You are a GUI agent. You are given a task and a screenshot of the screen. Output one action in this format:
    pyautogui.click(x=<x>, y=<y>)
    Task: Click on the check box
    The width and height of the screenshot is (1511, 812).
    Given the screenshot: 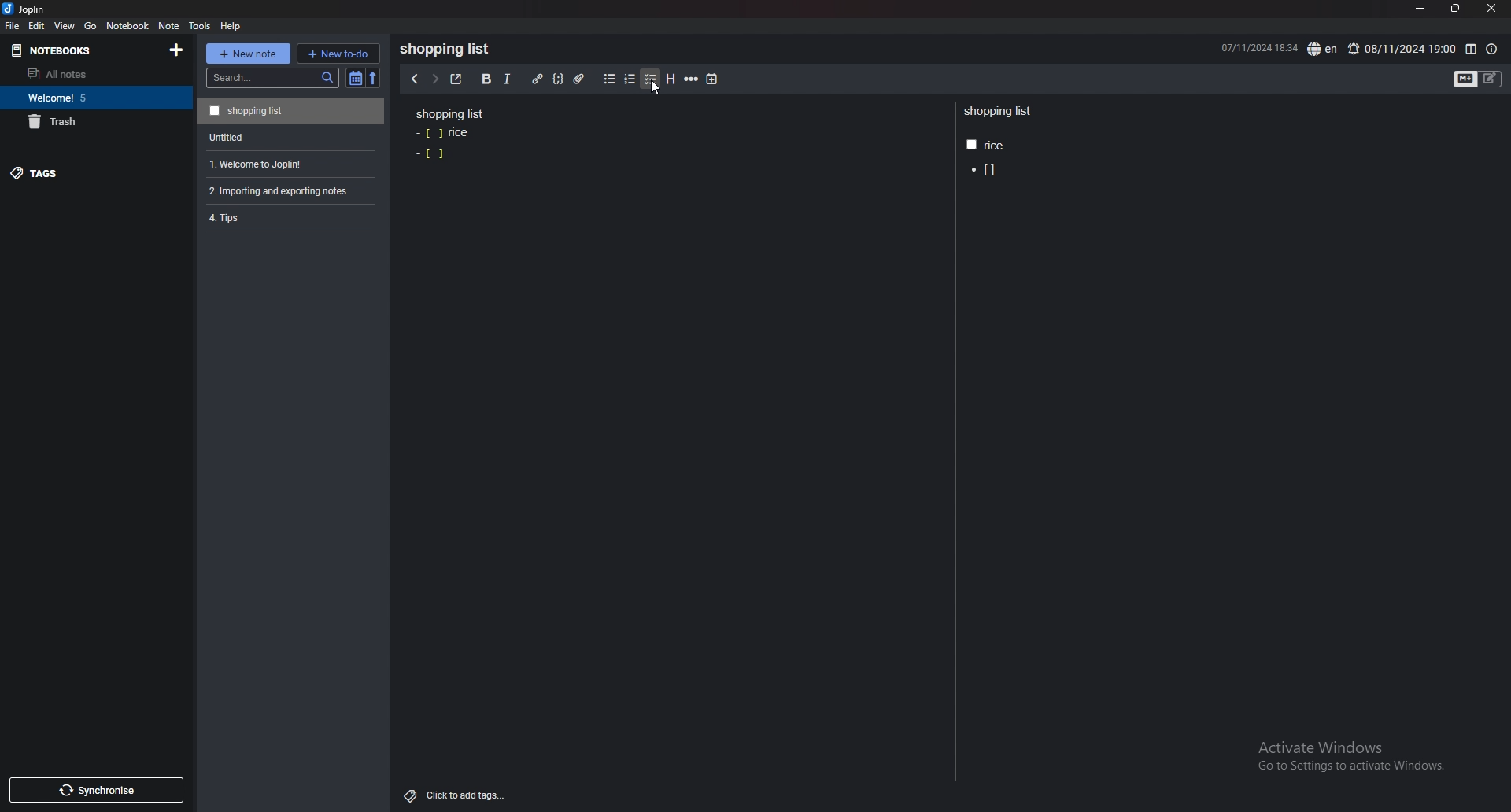 What is the action you would take?
    pyautogui.click(x=430, y=153)
    